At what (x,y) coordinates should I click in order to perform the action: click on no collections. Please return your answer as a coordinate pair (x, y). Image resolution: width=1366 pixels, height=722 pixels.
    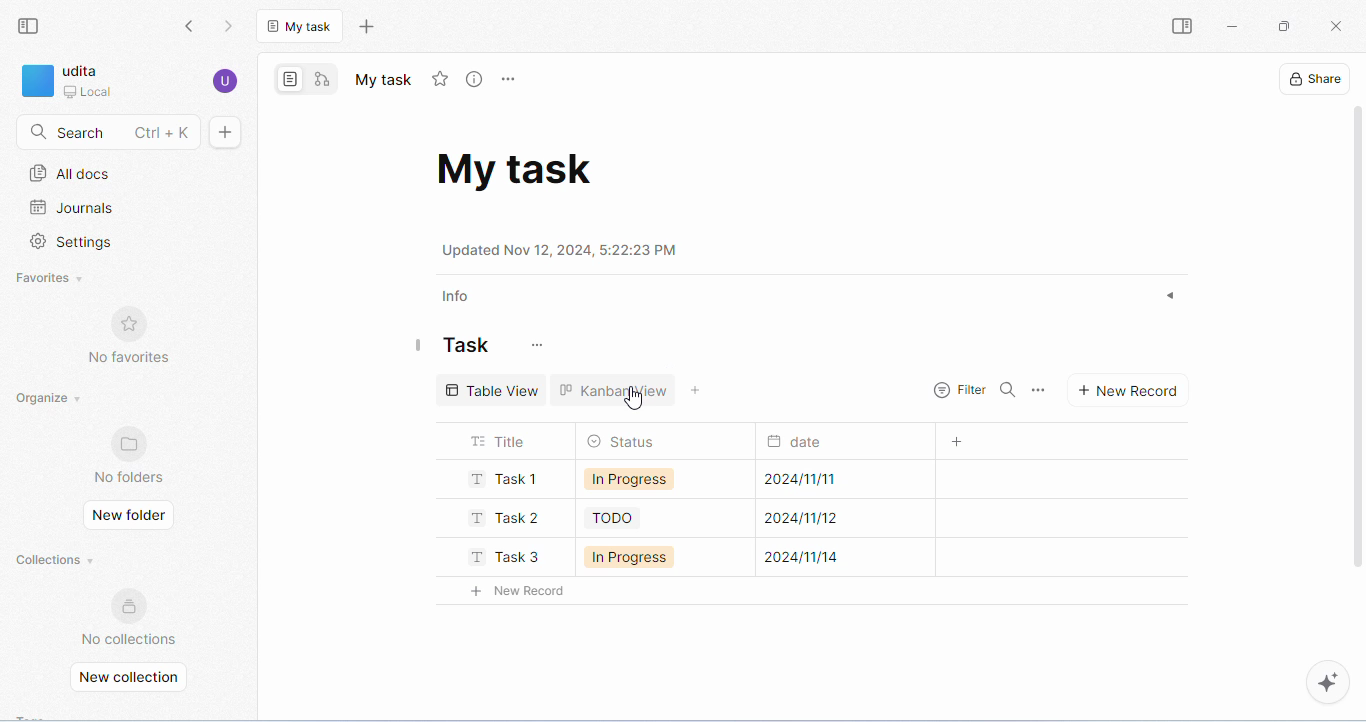
    Looking at the image, I should click on (129, 615).